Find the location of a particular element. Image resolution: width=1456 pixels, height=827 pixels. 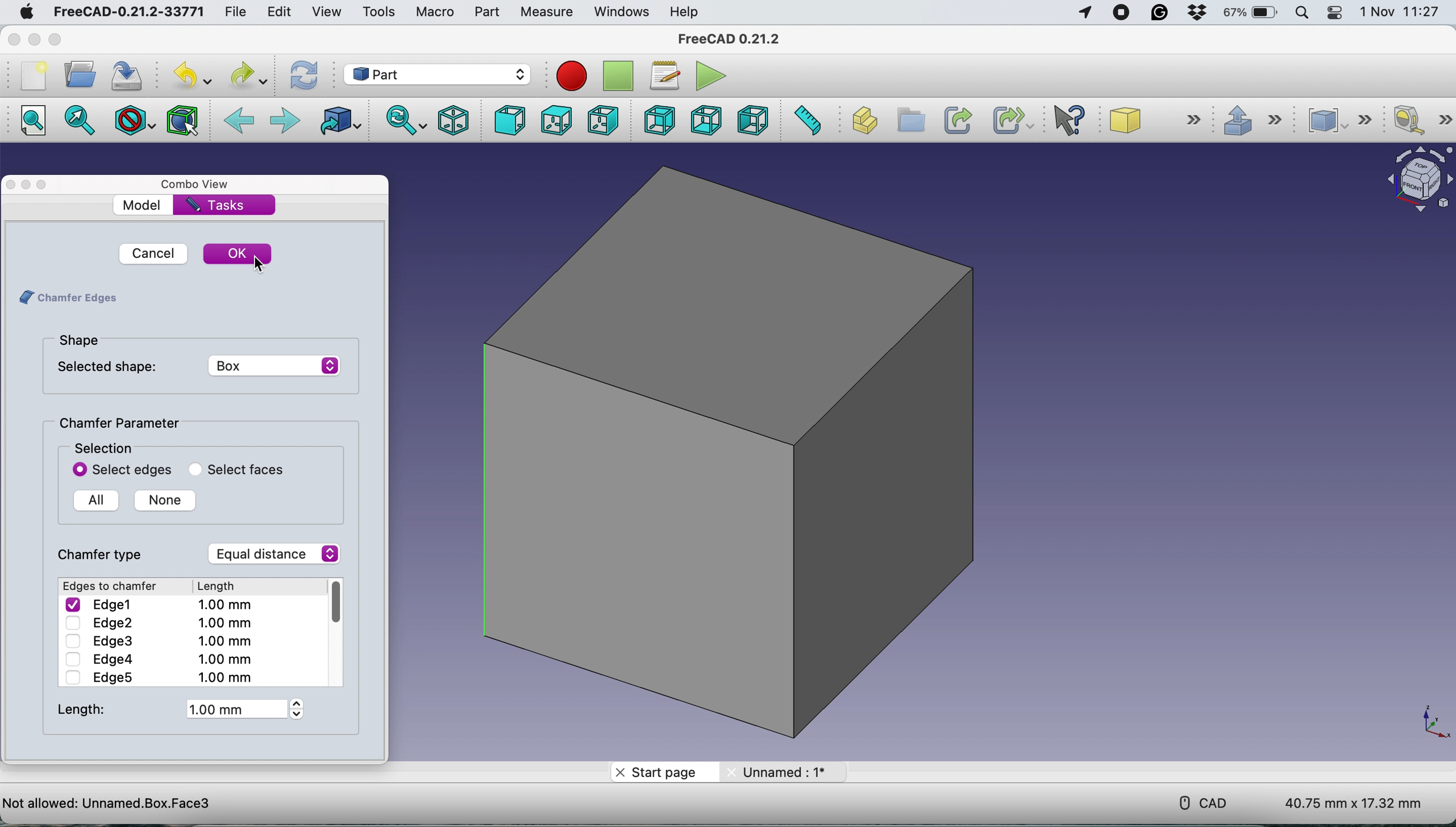

selection is located at coordinates (103, 448).